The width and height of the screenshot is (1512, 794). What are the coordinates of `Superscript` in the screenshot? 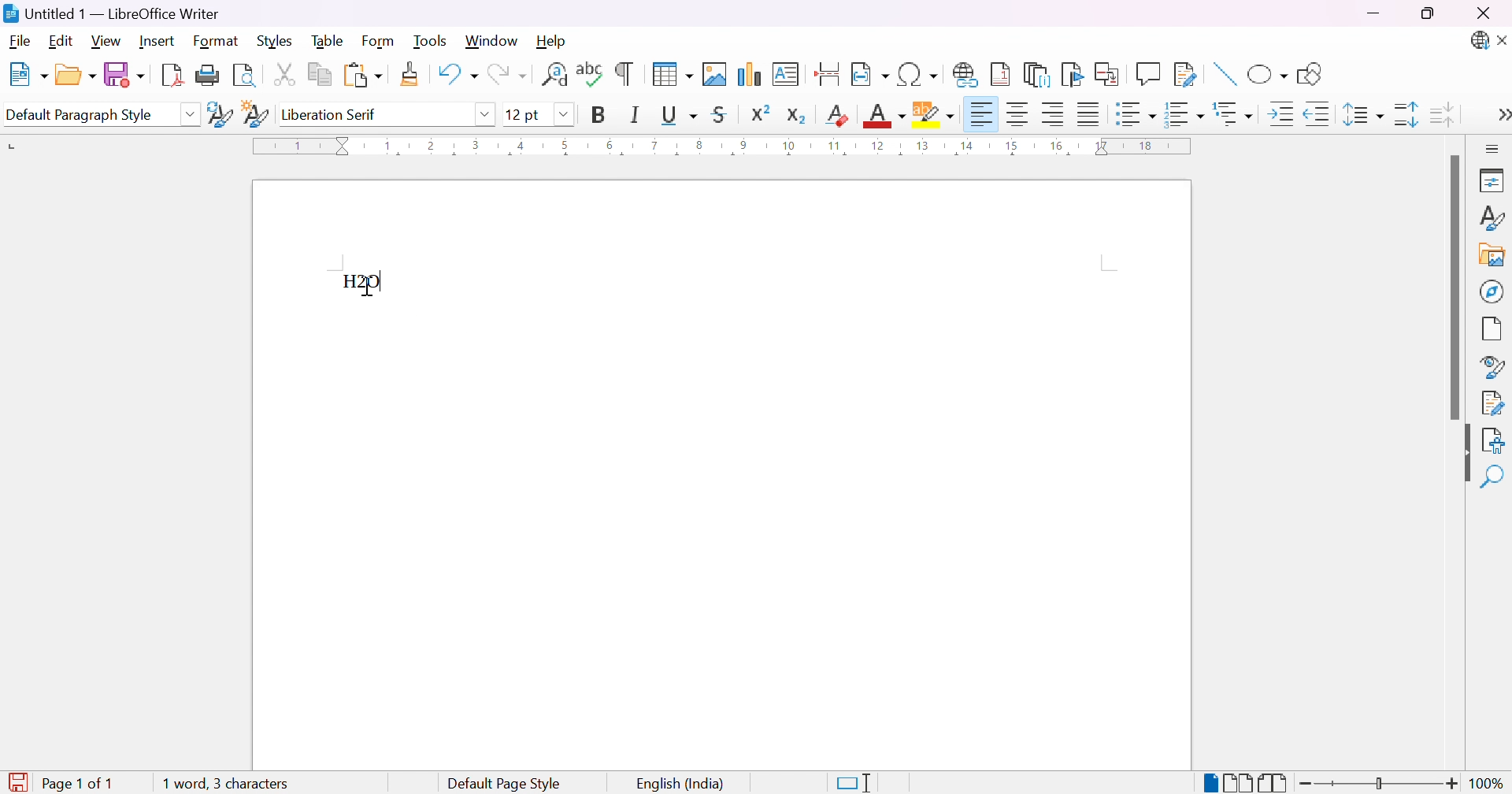 It's located at (759, 113).